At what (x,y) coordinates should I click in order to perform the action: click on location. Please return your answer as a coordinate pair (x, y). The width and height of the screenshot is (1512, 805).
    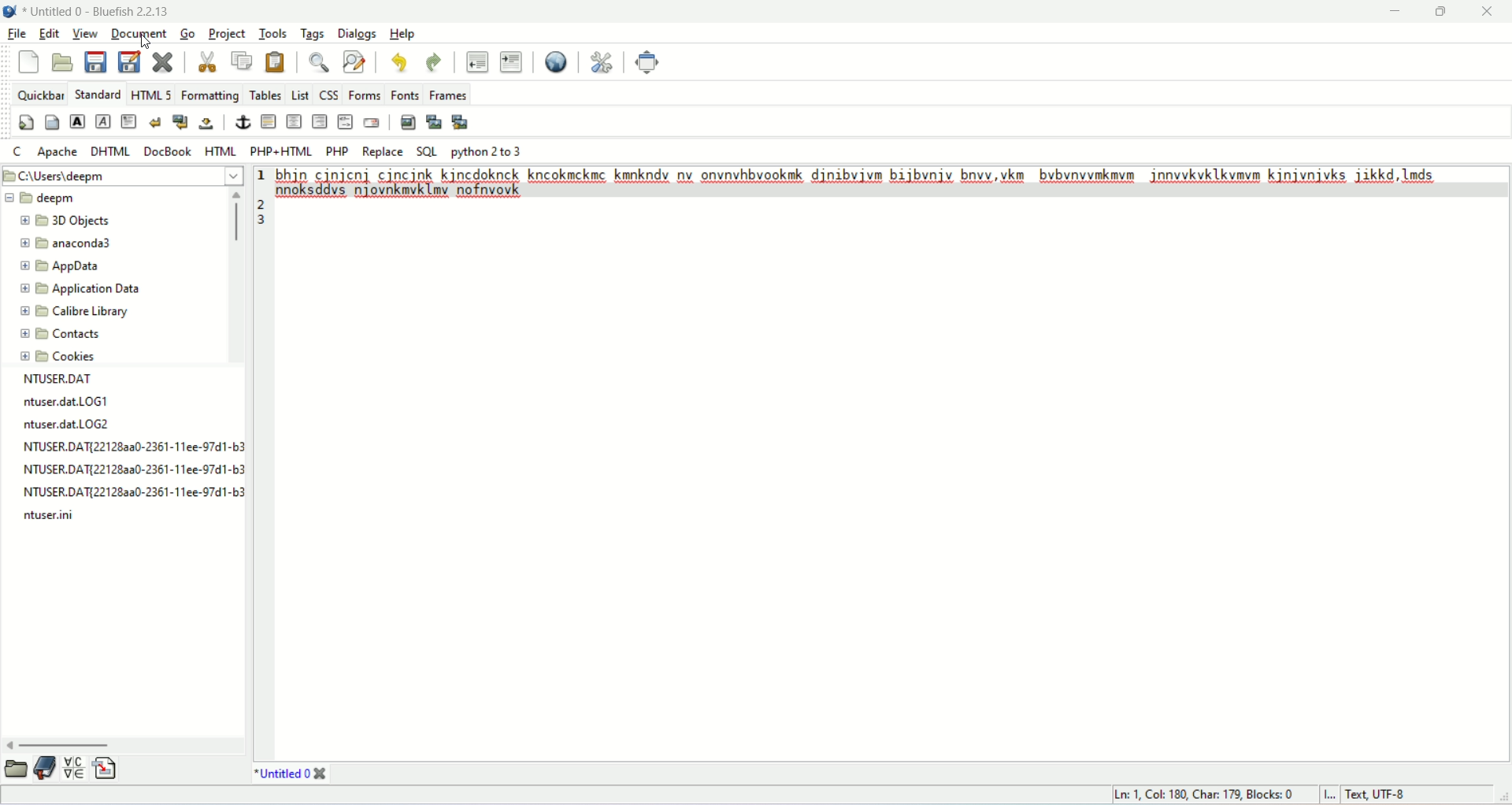
    Looking at the image, I should click on (125, 176).